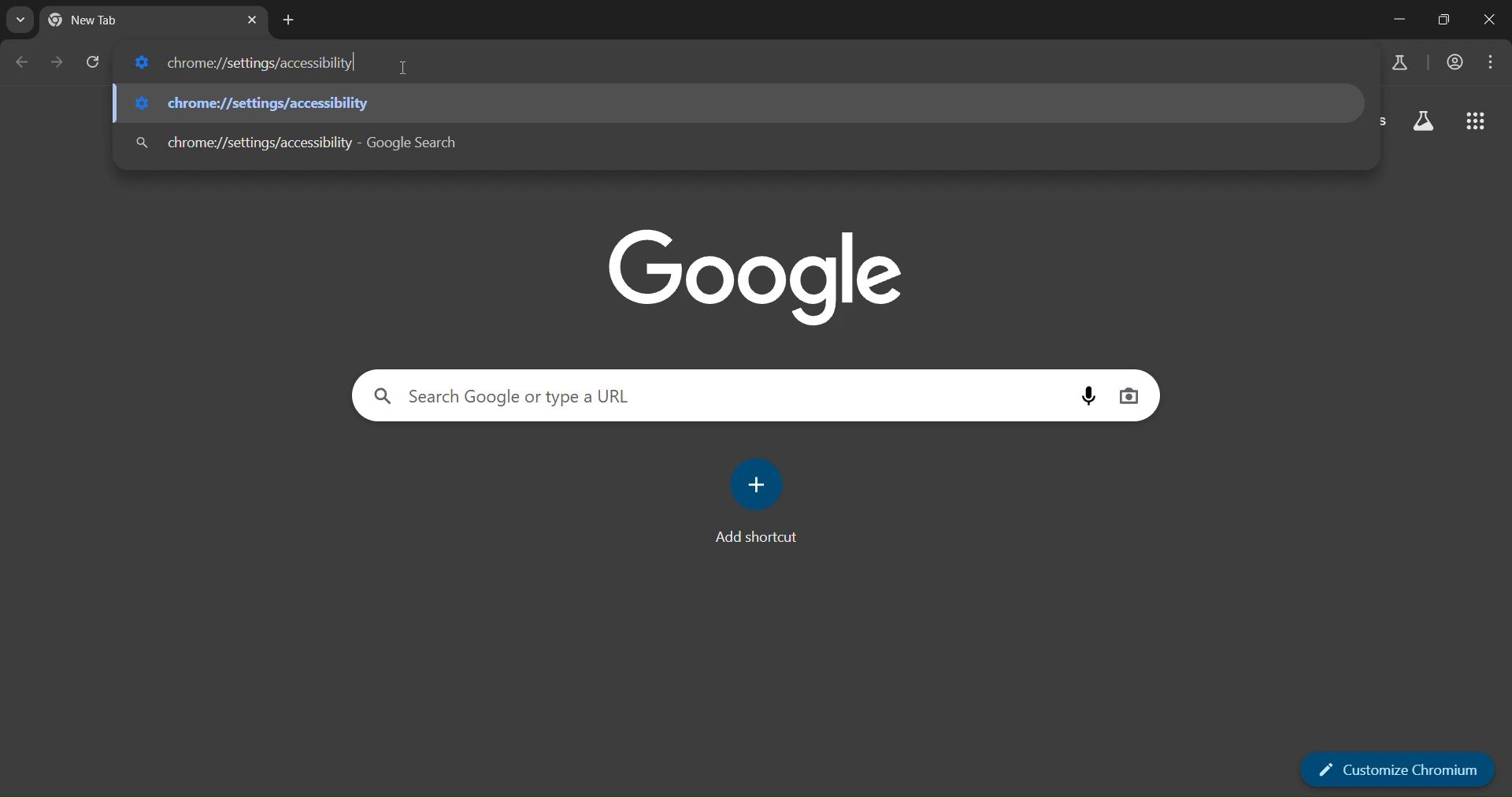 The width and height of the screenshot is (1512, 797). Describe the element at coordinates (25, 62) in the screenshot. I see `go back one page` at that location.